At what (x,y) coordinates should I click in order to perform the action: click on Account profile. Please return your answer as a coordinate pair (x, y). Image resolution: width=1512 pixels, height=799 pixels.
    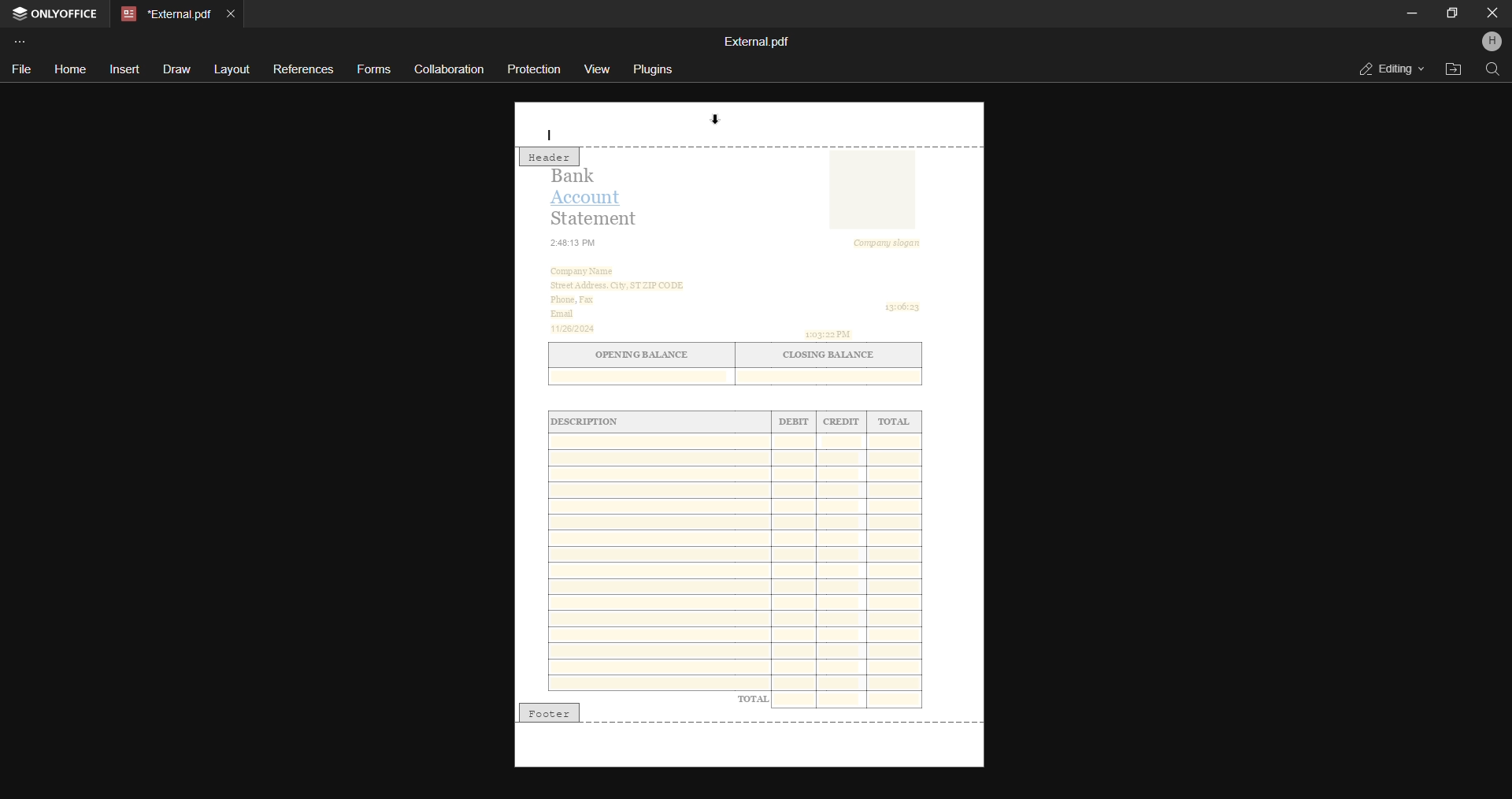
    Looking at the image, I should click on (1491, 43).